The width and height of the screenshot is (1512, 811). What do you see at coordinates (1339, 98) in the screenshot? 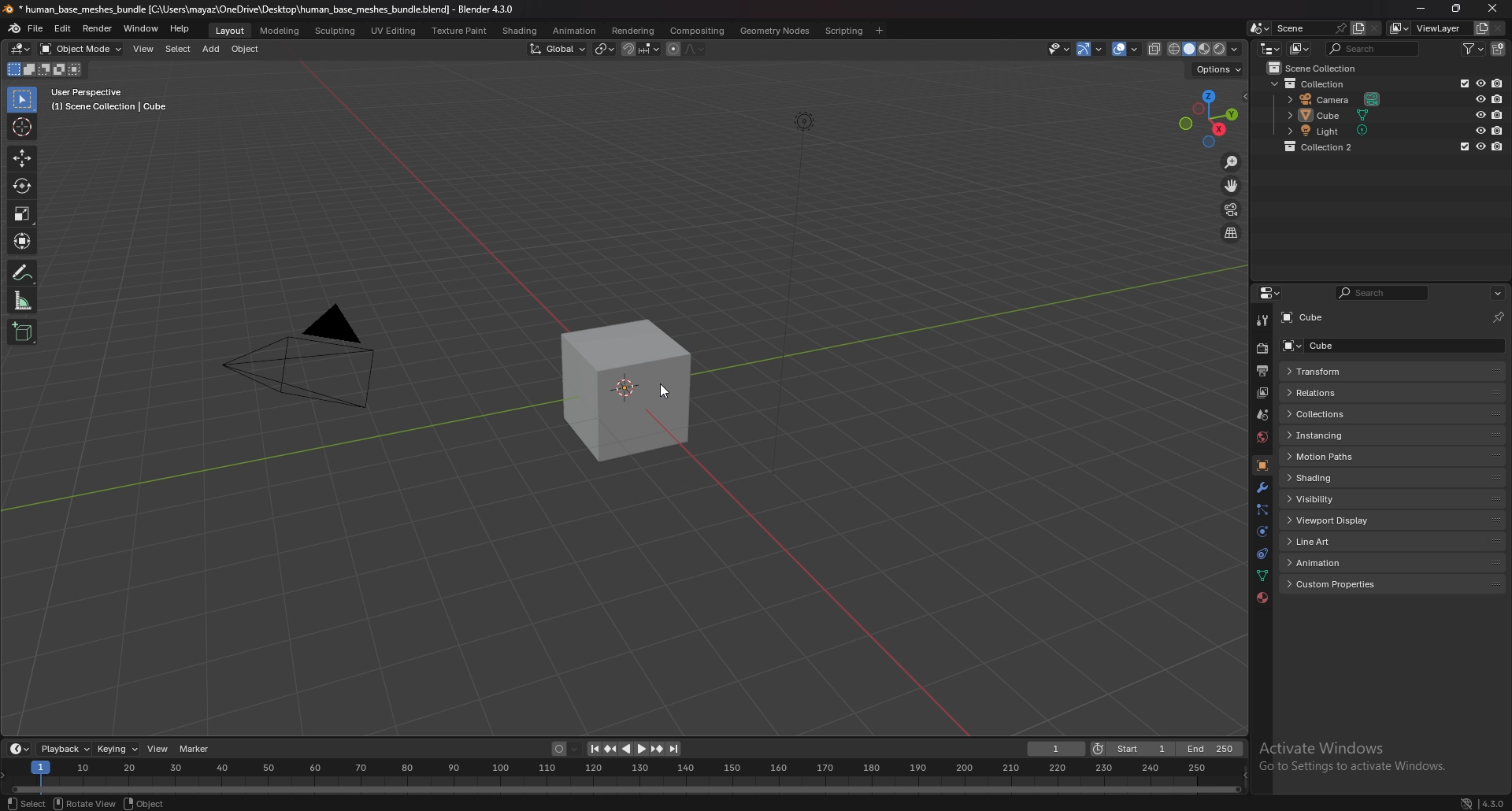
I see `camera` at bounding box center [1339, 98].